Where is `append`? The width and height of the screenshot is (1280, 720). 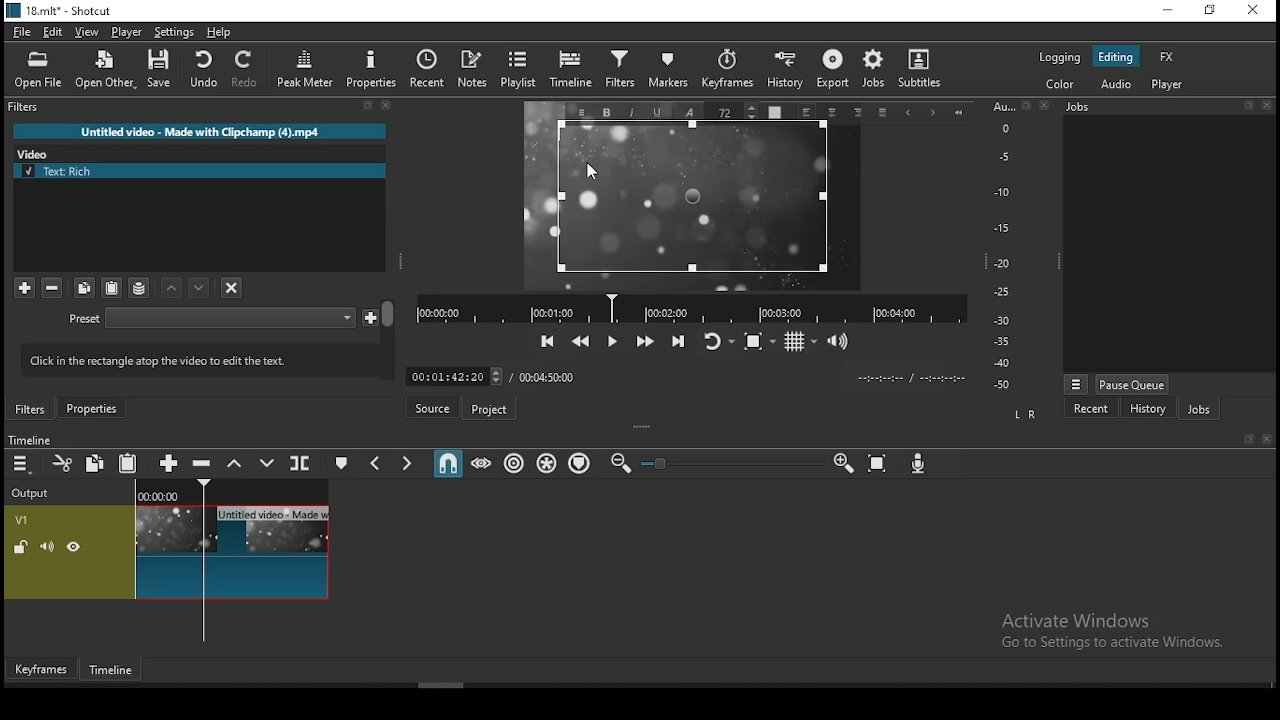 append is located at coordinates (171, 462).